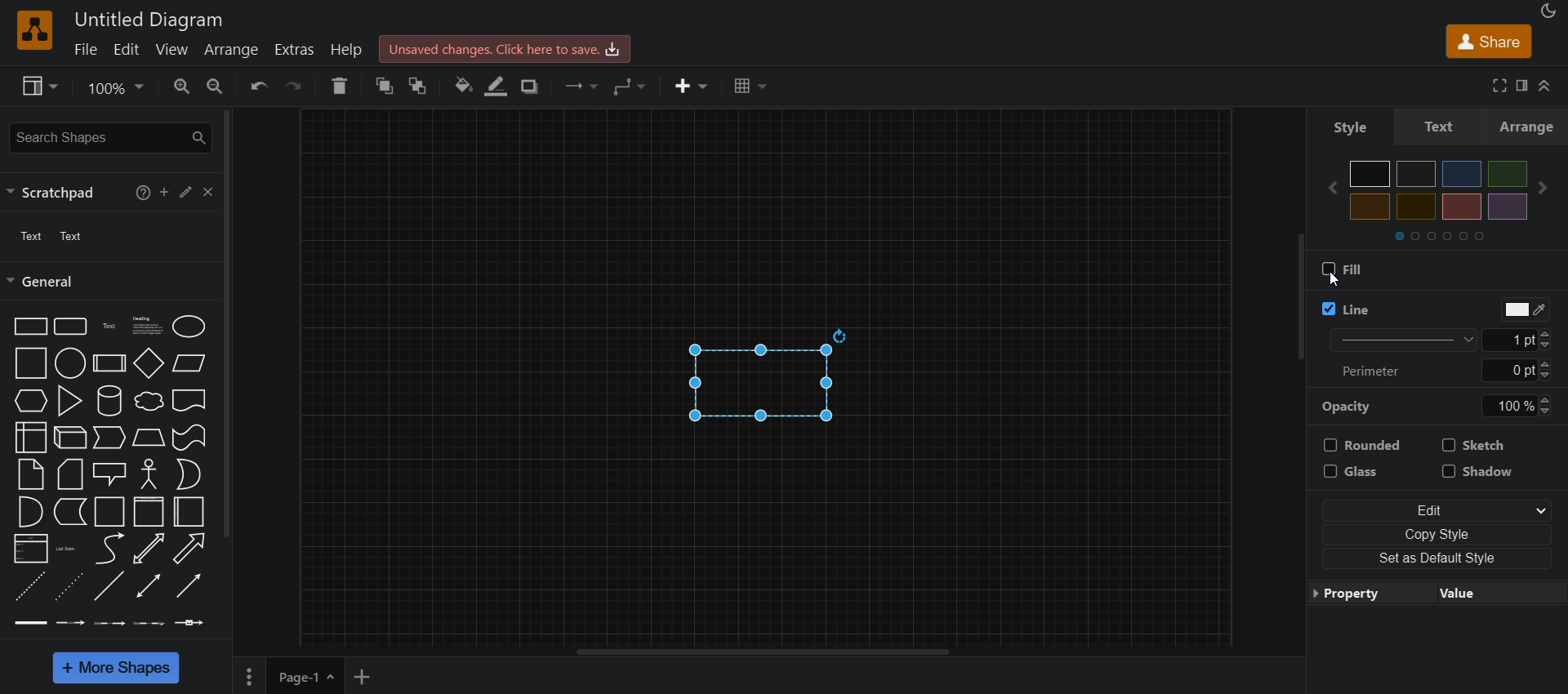 The height and width of the screenshot is (694, 1568). What do you see at coordinates (189, 512) in the screenshot?
I see `horizontal container` at bounding box center [189, 512].